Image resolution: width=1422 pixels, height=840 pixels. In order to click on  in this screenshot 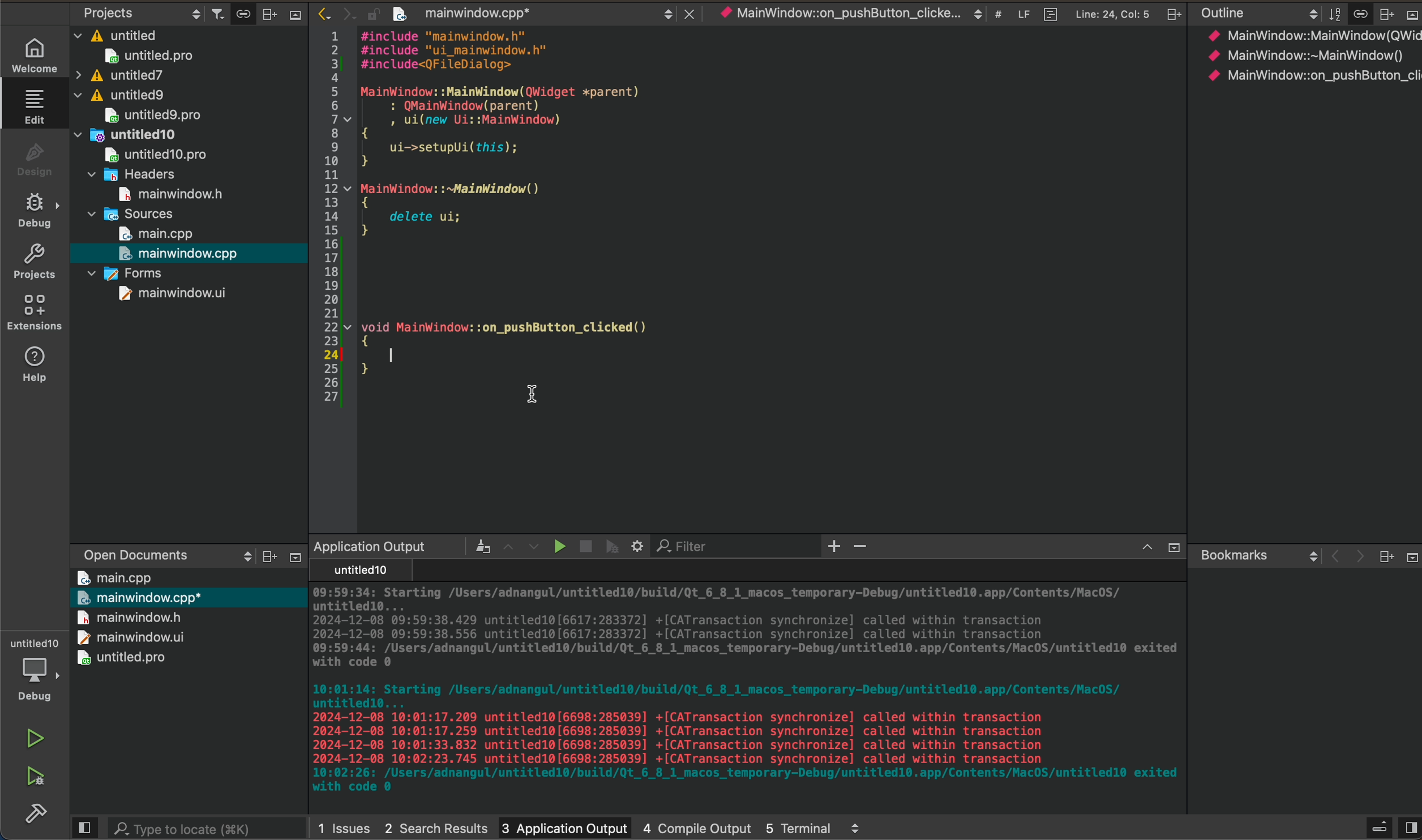, I will do `click(1377, 825)`.